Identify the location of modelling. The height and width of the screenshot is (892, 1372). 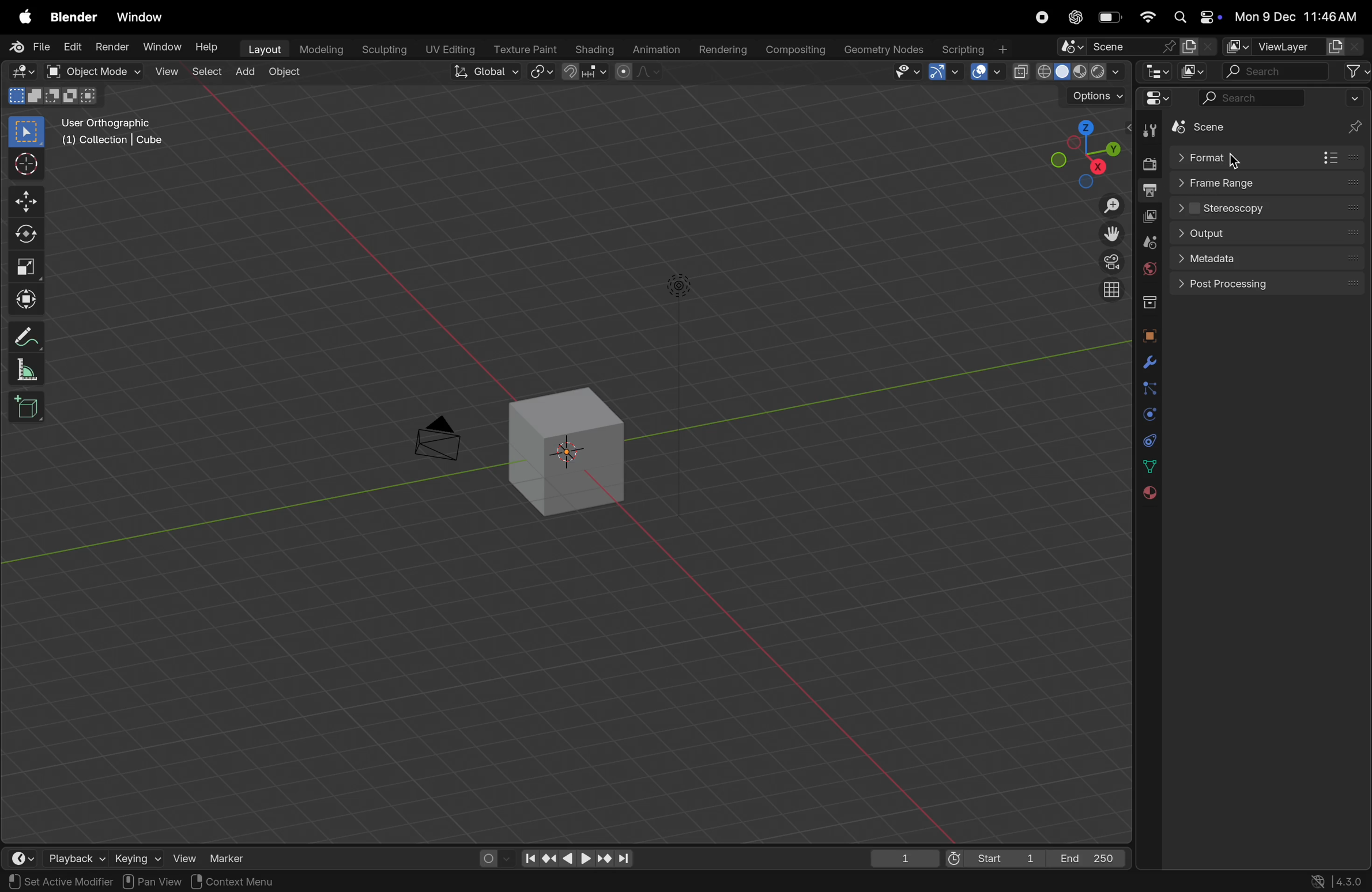
(319, 48).